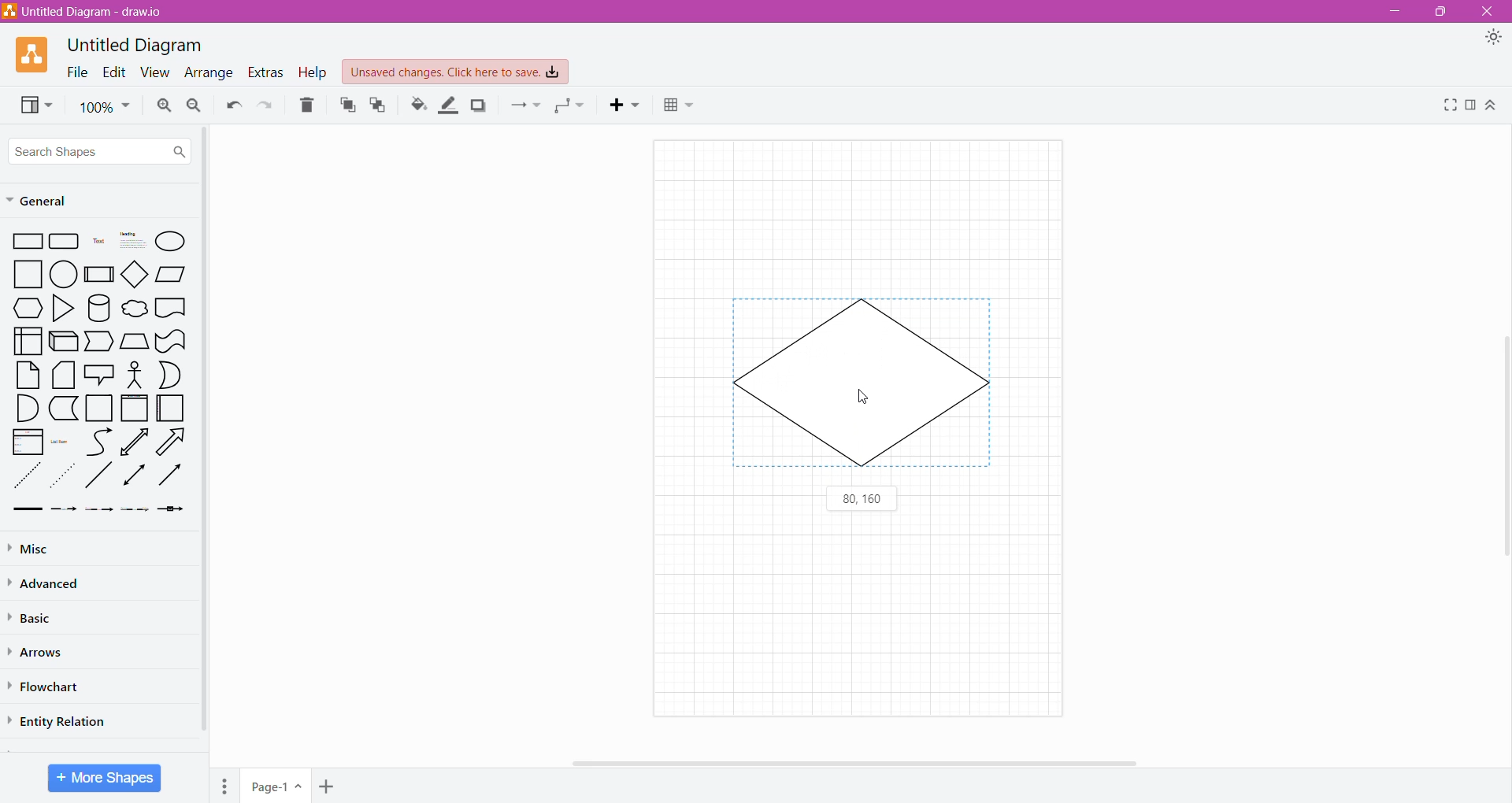 The width and height of the screenshot is (1512, 803). Describe the element at coordinates (99, 442) in the screenshot. I see `Curves` at that location.